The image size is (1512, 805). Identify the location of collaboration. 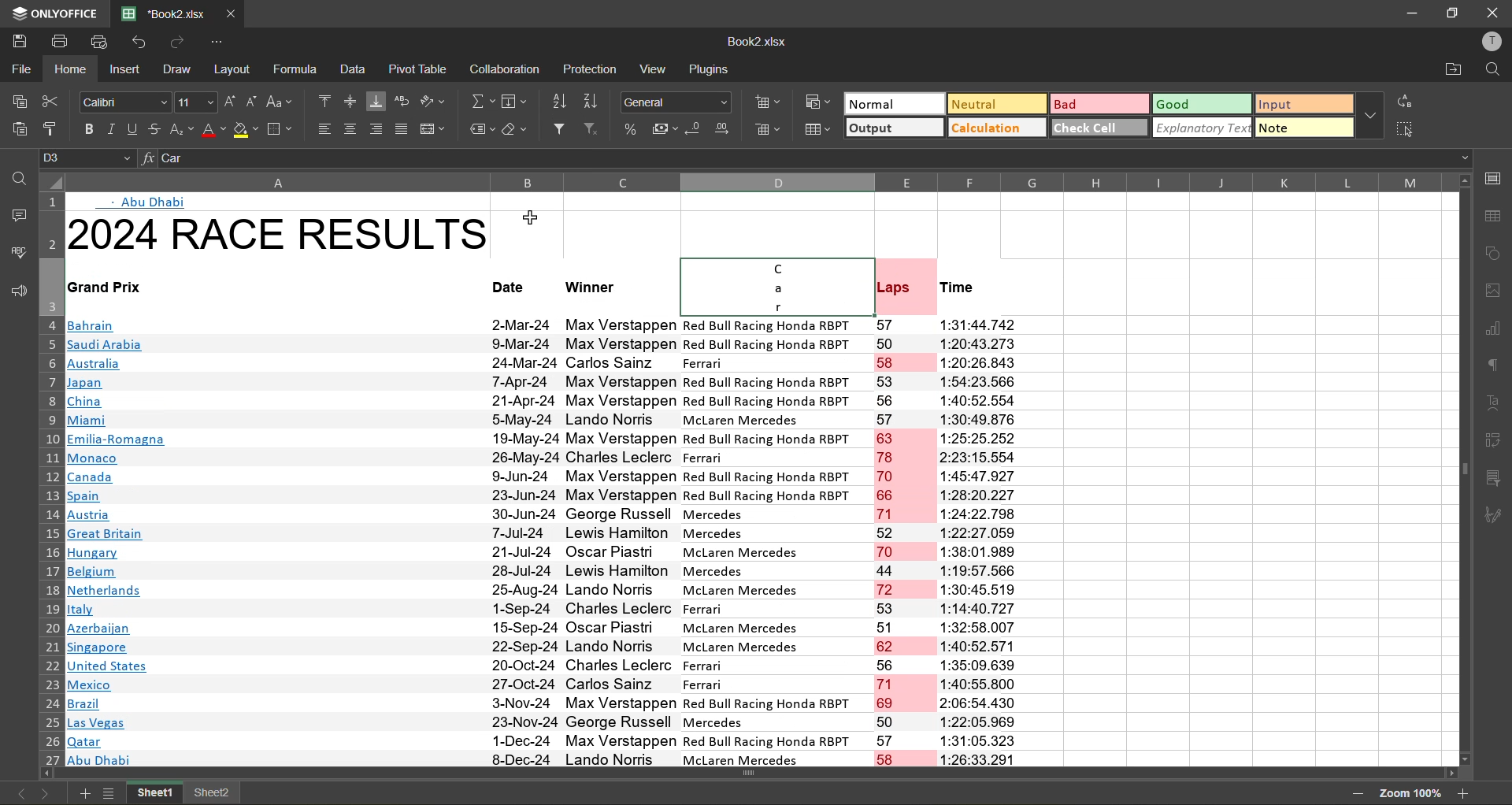
(502, 70).